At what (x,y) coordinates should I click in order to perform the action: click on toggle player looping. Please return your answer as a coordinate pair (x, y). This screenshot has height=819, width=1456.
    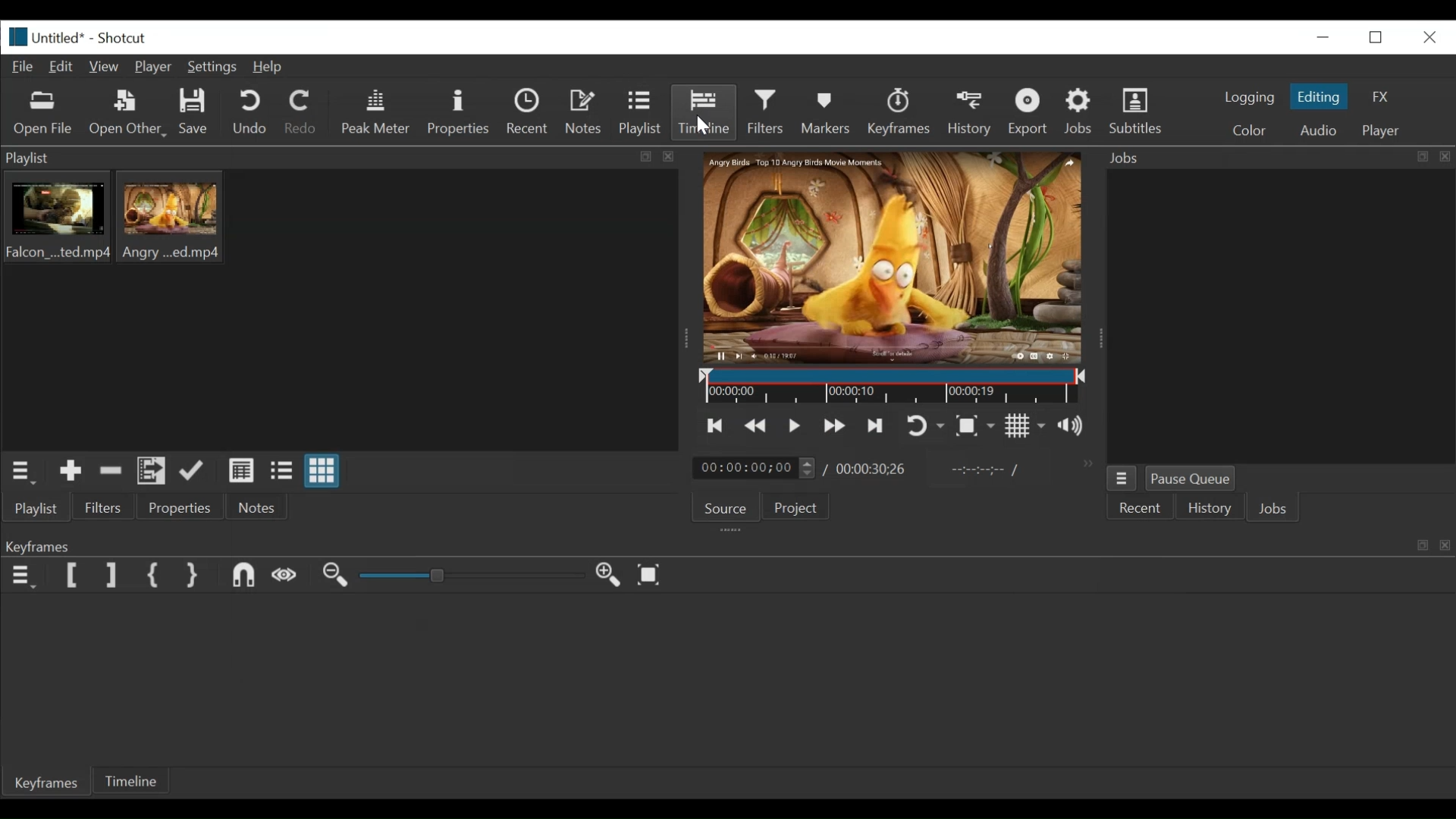
    Looking at the image, I should click on (925, 427).